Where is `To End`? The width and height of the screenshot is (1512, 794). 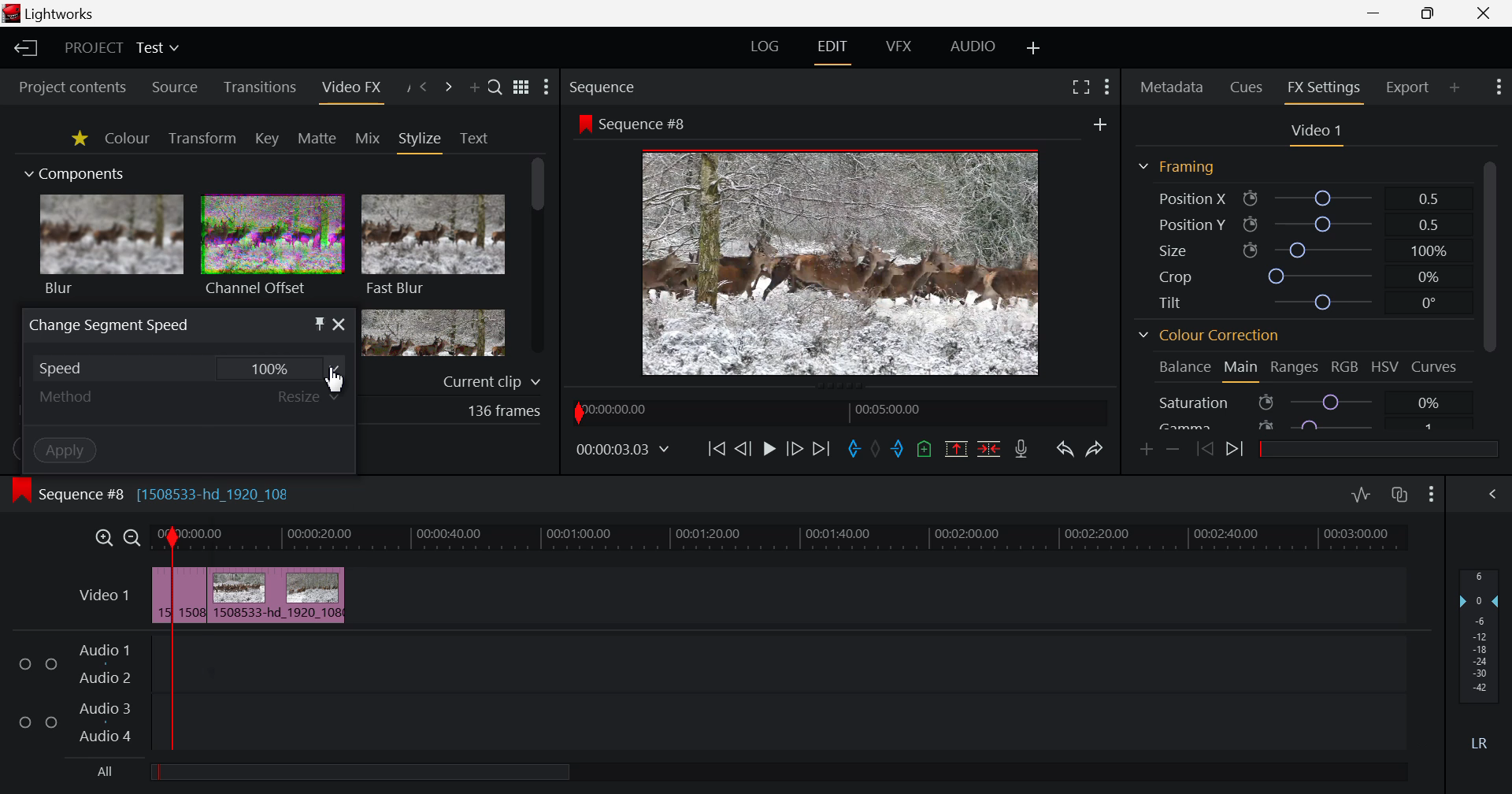
To End is located at coordinates (821, 450).